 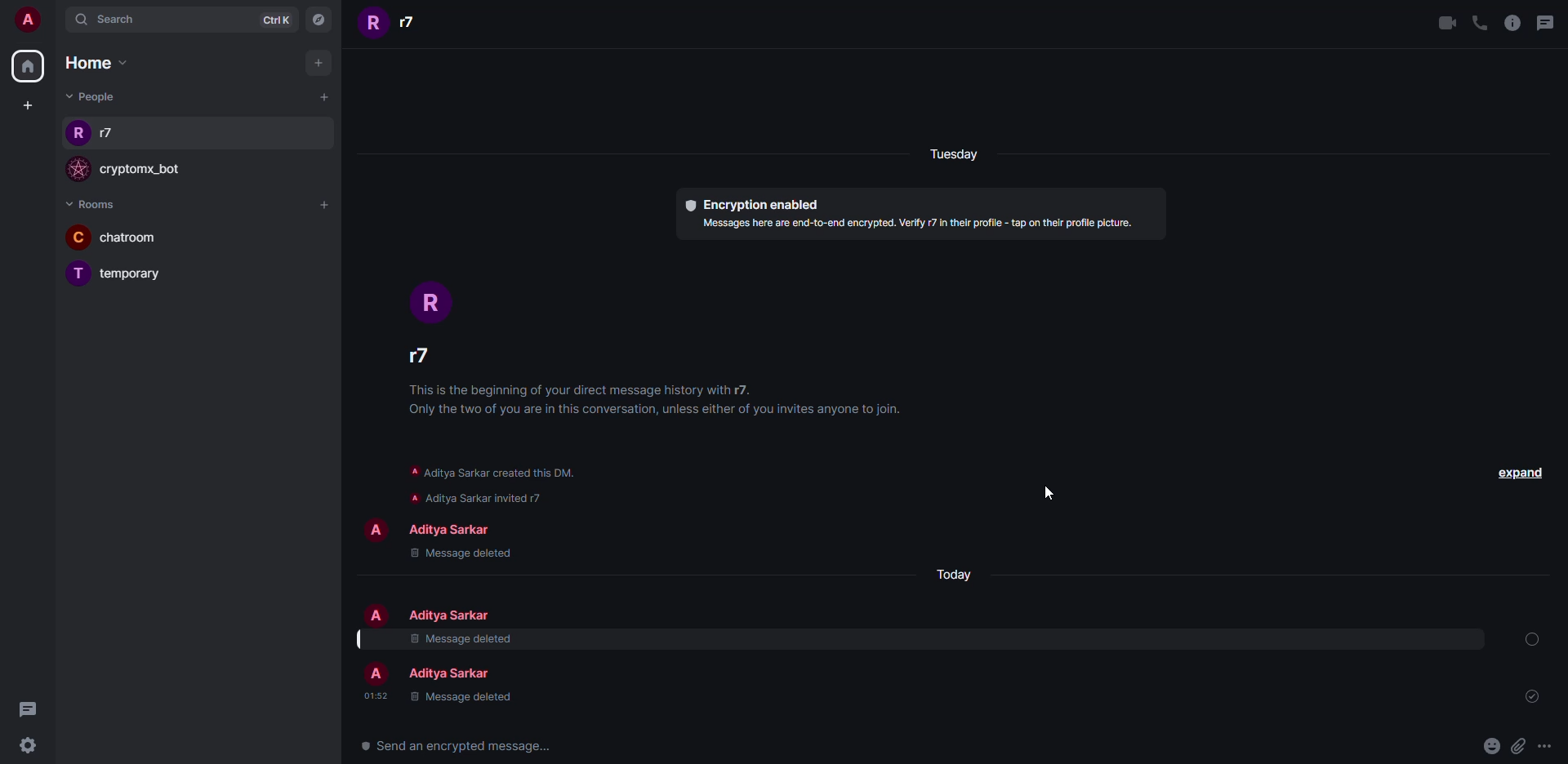 I want to click on send a message, so click(x=459, y=747).